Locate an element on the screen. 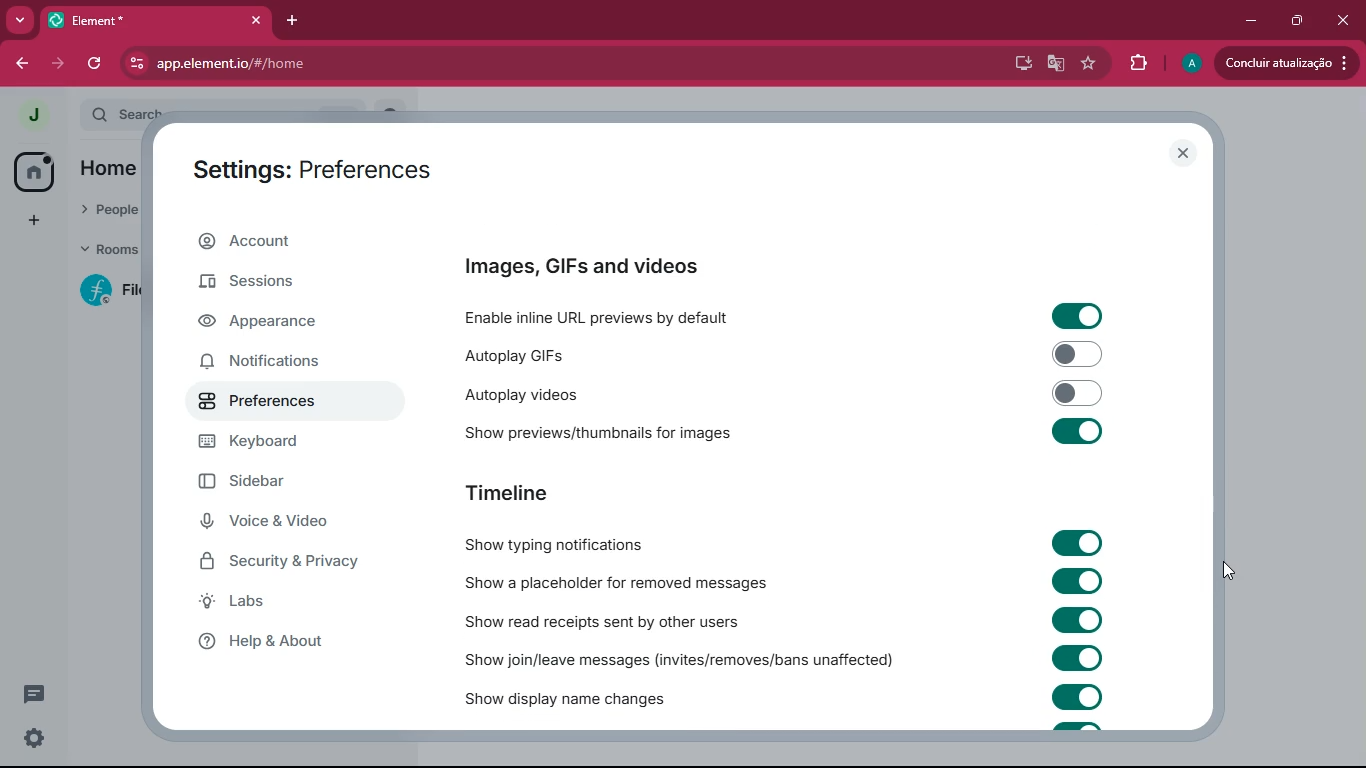  settings: preferences is located at coordinates (309, 171).